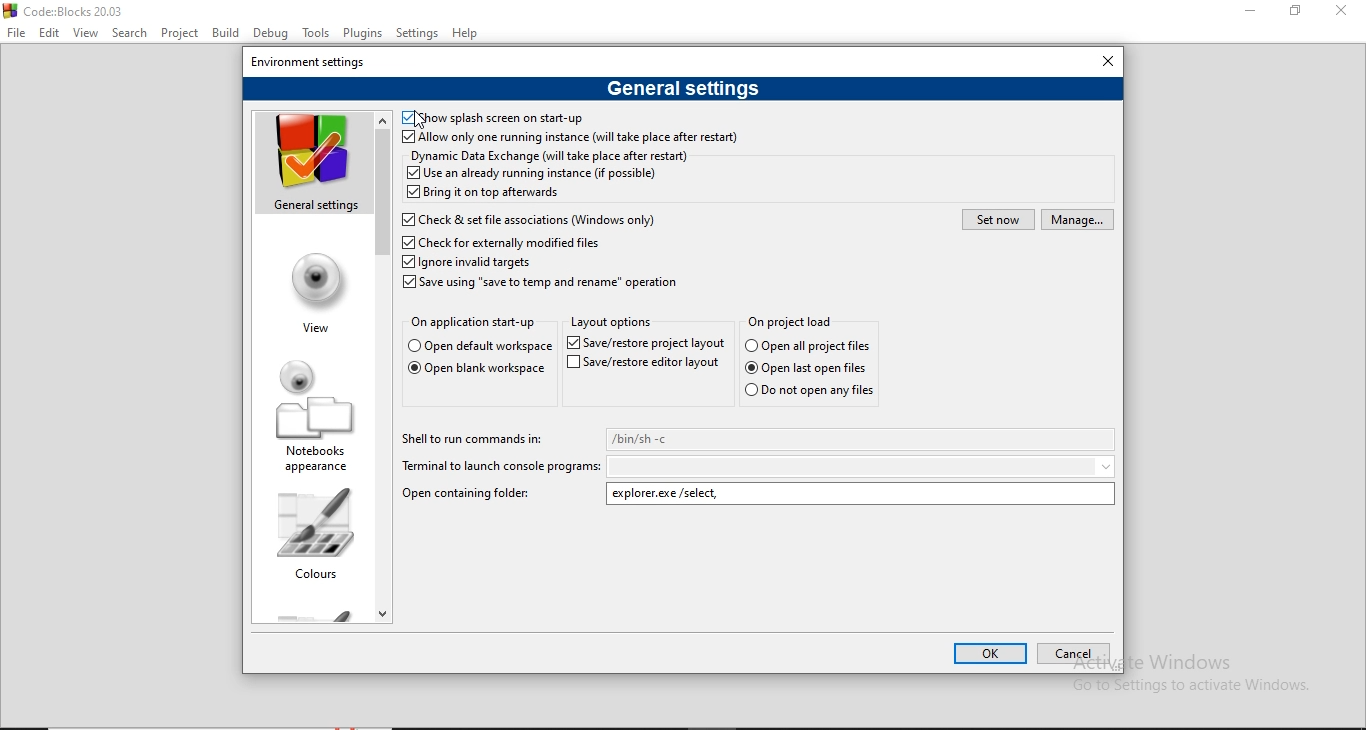 The width and height of the screenshot is (1366, 730). What do you see at coordinates (863, 466) in the screenshot?
I see `empty box` at bounding box center [863, 466].